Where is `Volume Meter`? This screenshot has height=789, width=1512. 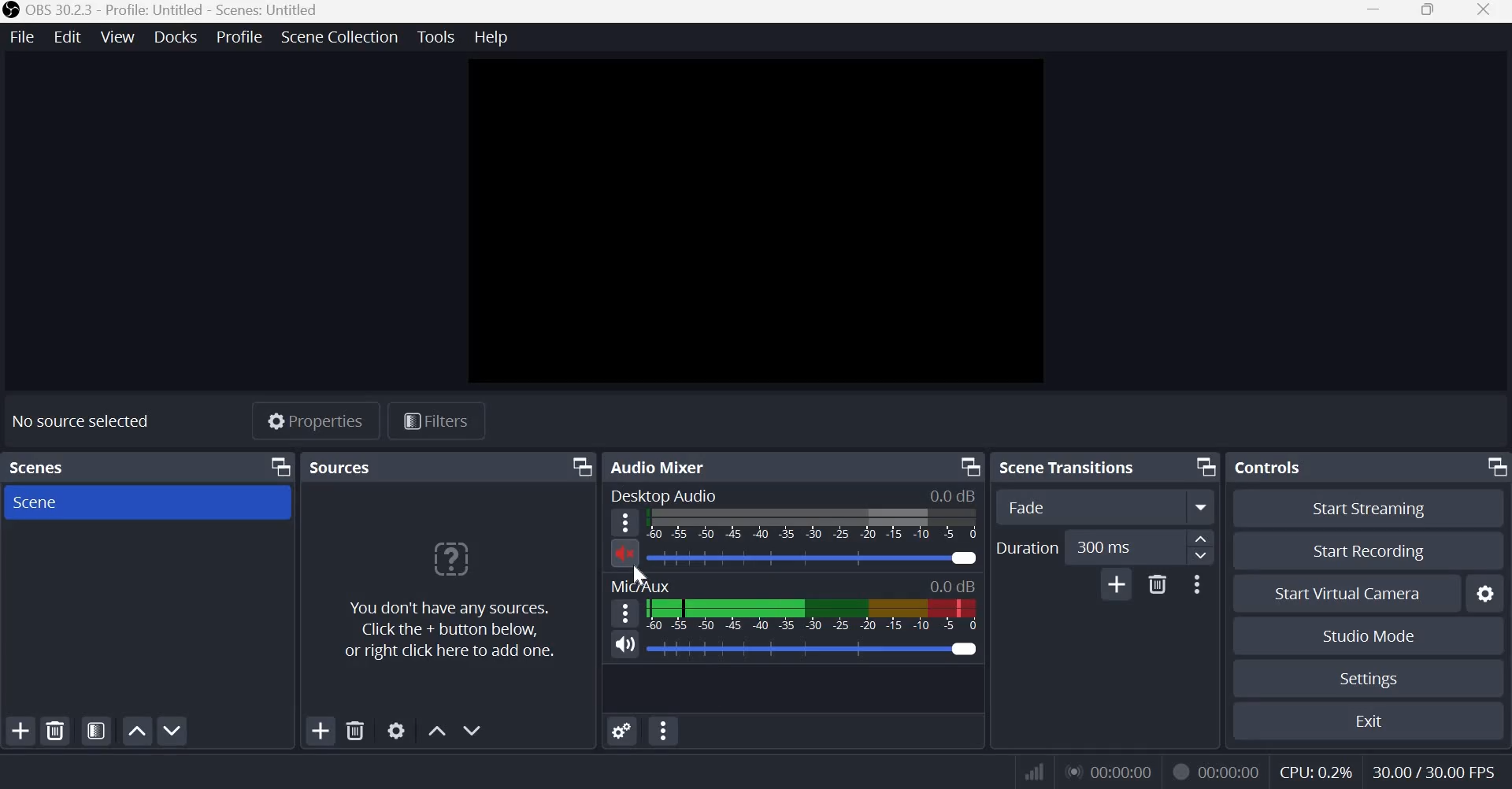
Volume Meter is located at coordinates (813, 524).